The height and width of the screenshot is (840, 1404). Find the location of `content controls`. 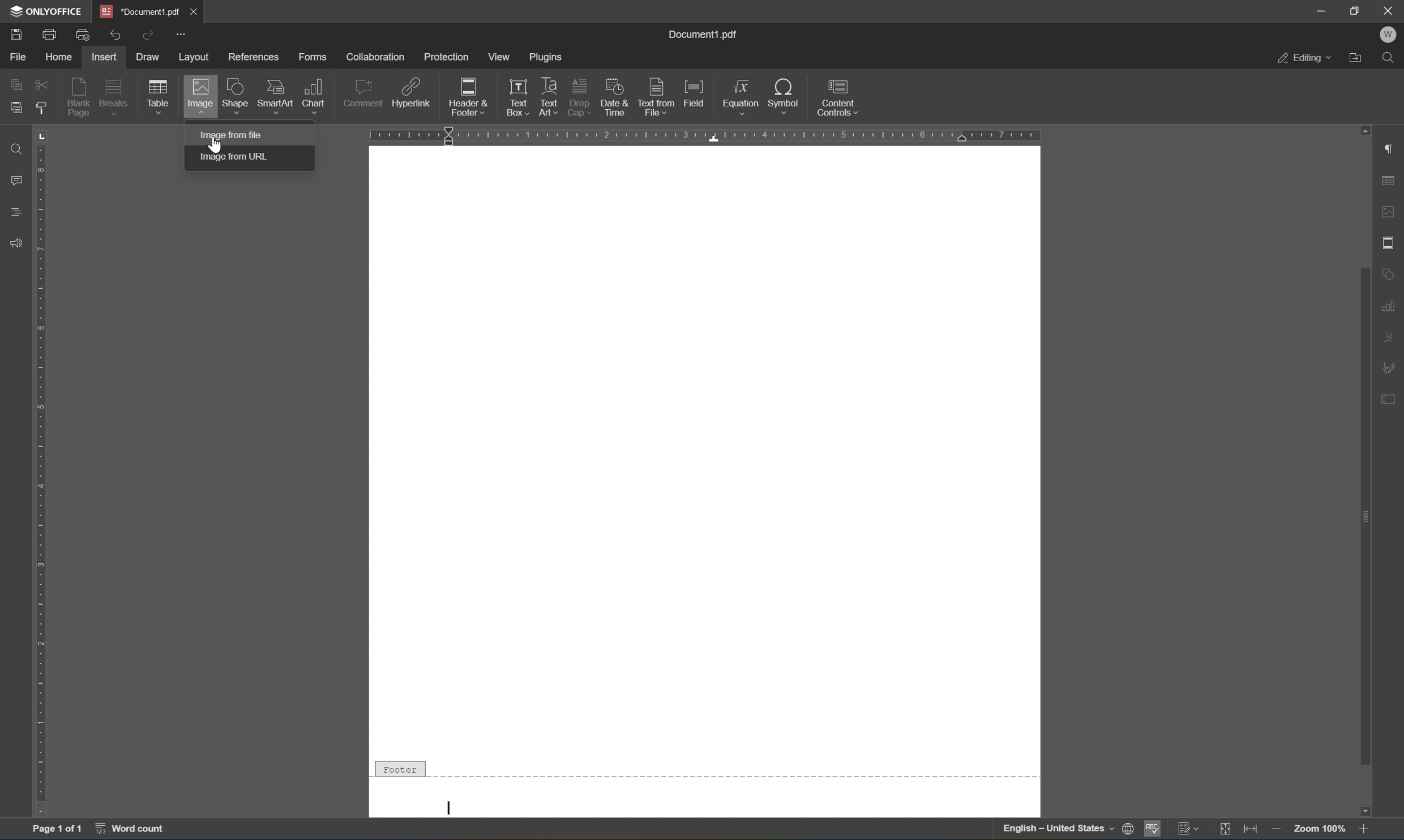

content controls is located at coordinates (838, 97).